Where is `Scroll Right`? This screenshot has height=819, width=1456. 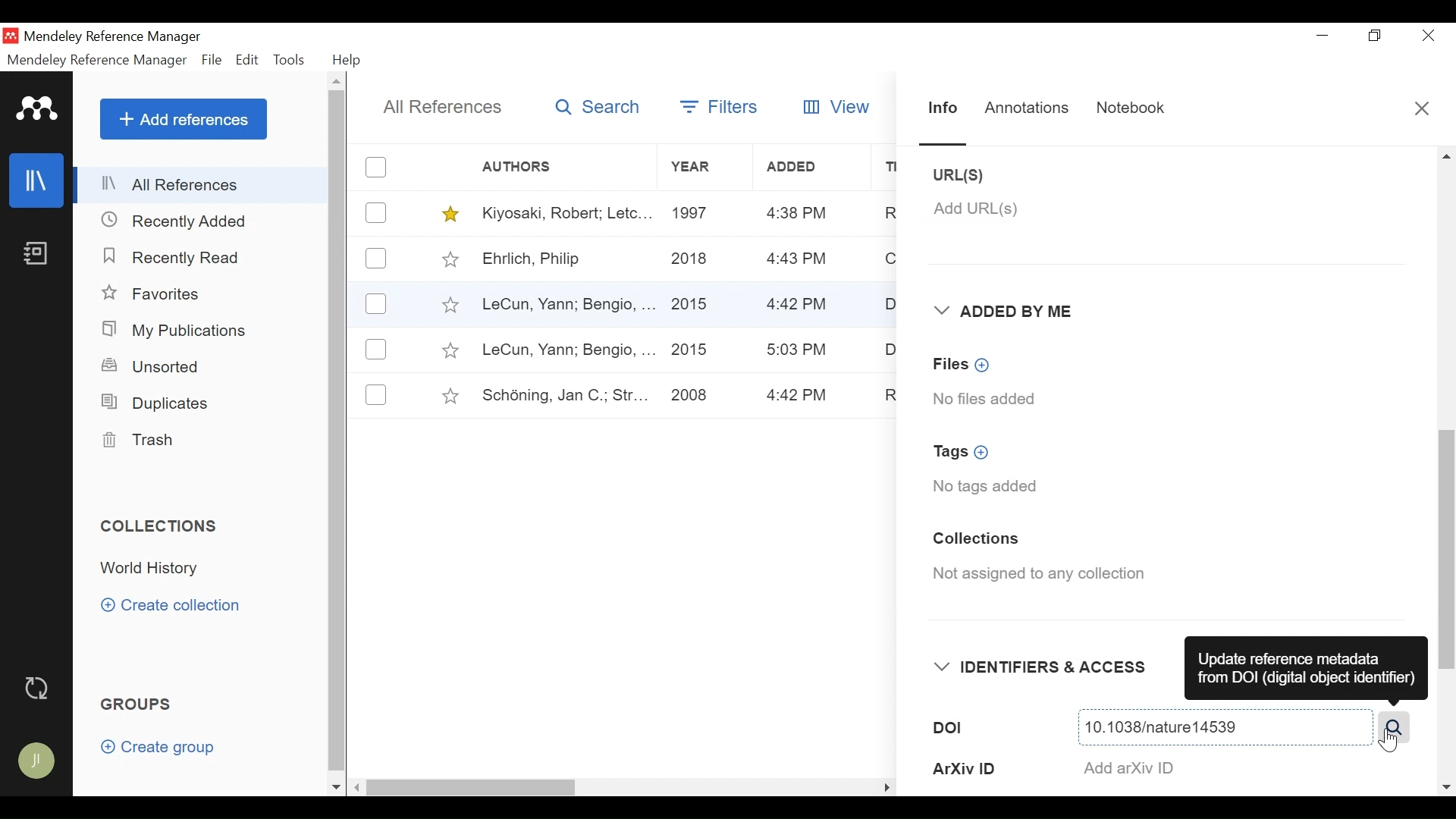
Scroll Right is located at coordinates (358, 788).